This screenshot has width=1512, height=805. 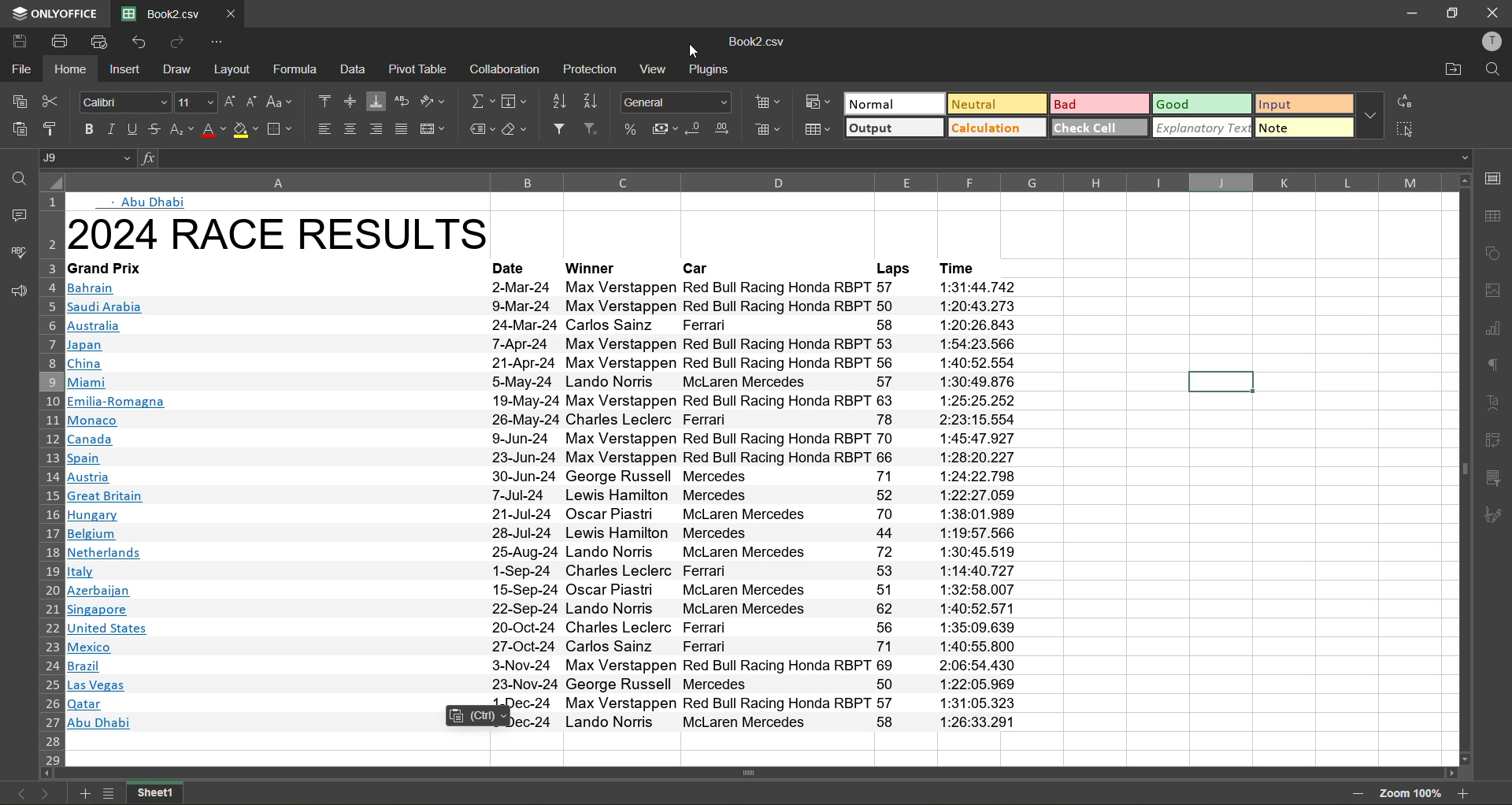 What do you see at coordinates (544, 495) in the screenshot?
I see `text info` at bounding box center [544, 495].